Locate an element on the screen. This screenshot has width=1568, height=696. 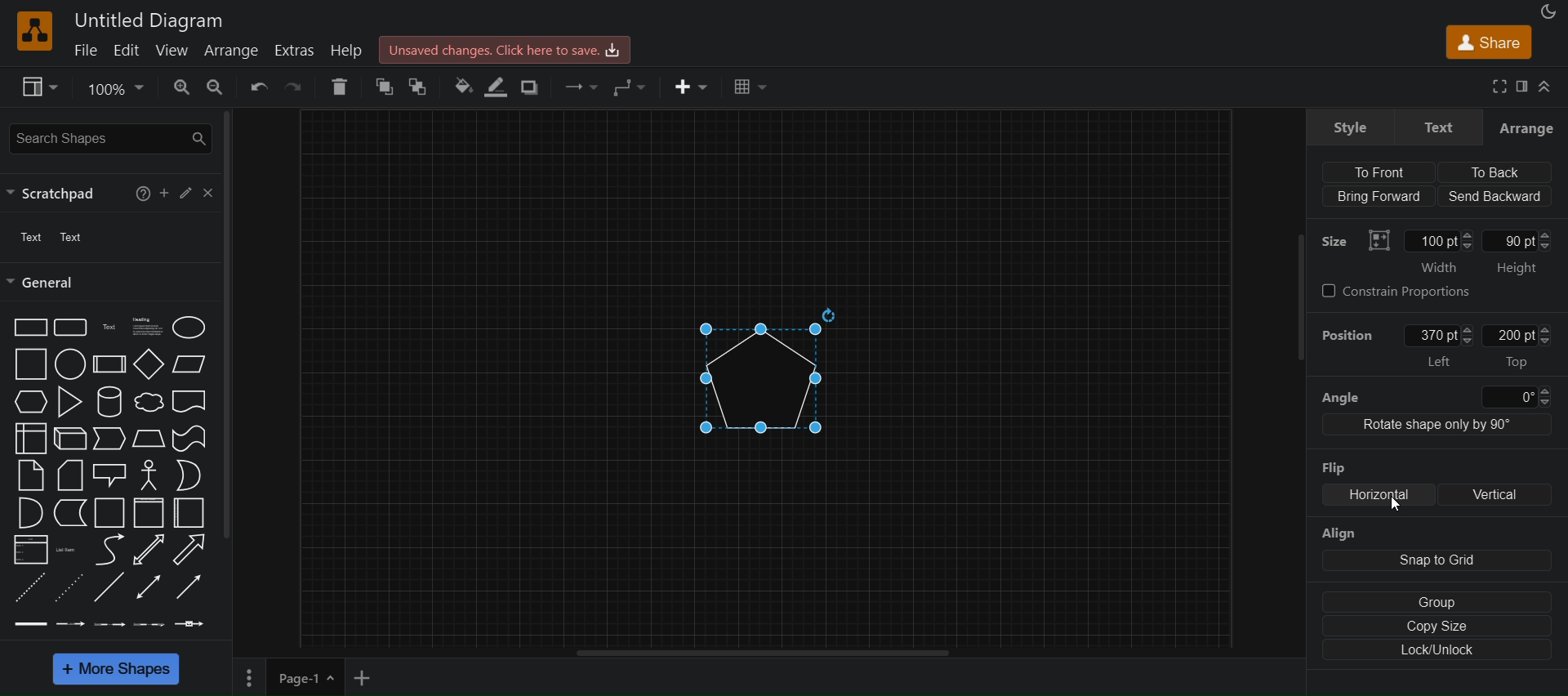
line color is located at coordinates (497, 87).